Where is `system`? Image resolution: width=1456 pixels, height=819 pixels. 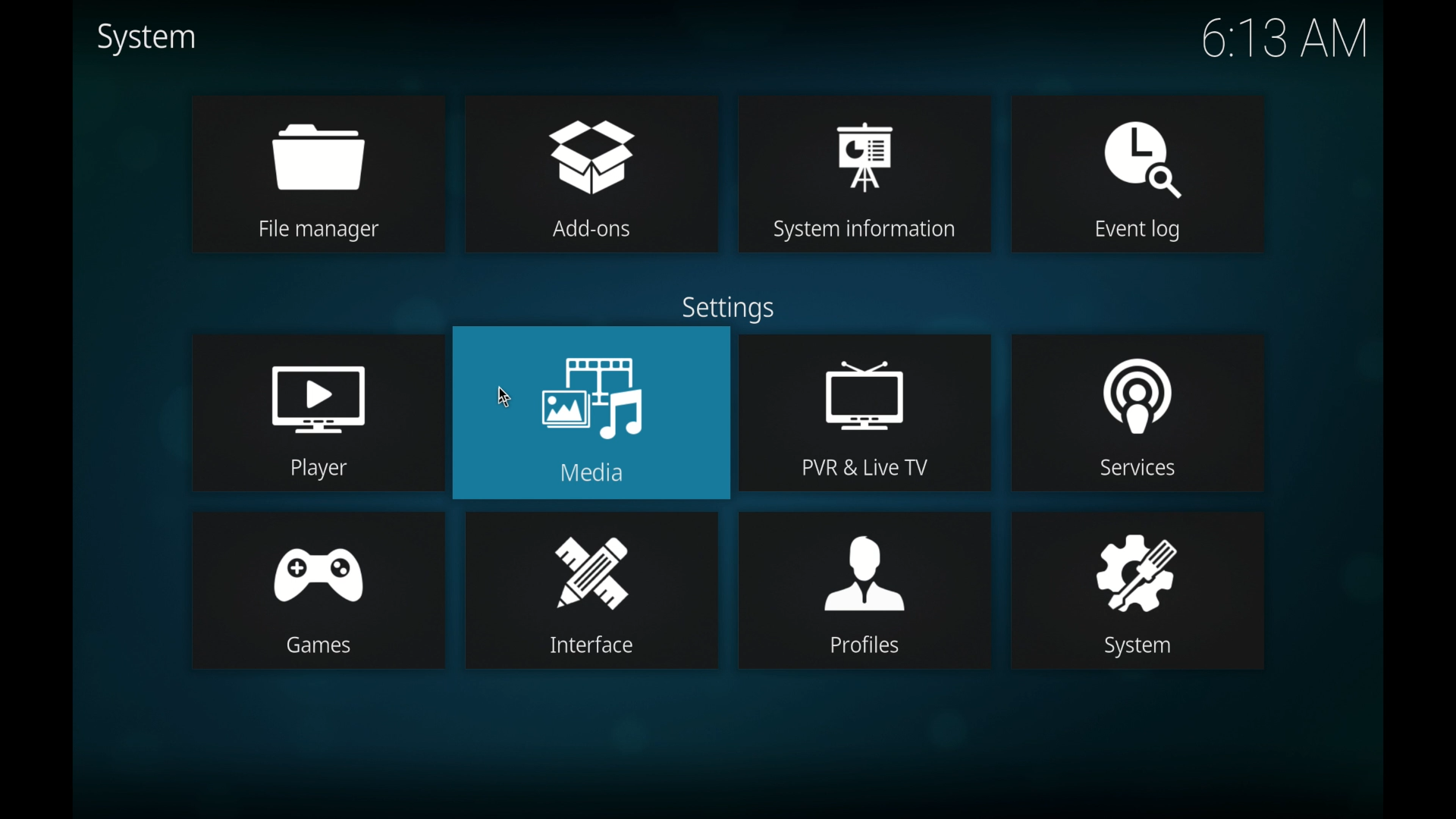 system is located at coordinates (146, 38).